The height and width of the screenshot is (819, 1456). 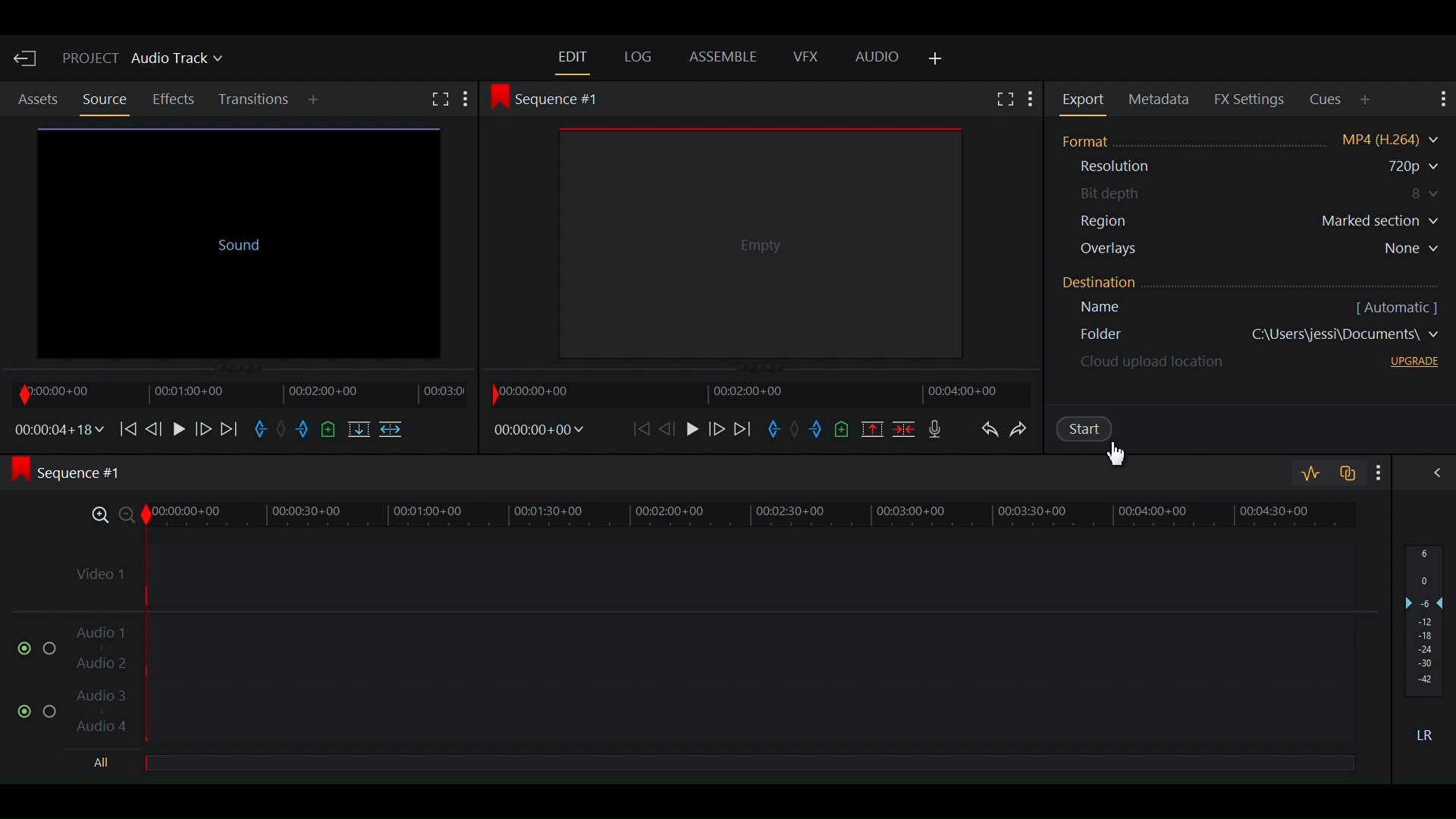 What do you see at coordinates (285, 431) in the screenshot?
I see `Clear marks` at bounding box center [285, 431].